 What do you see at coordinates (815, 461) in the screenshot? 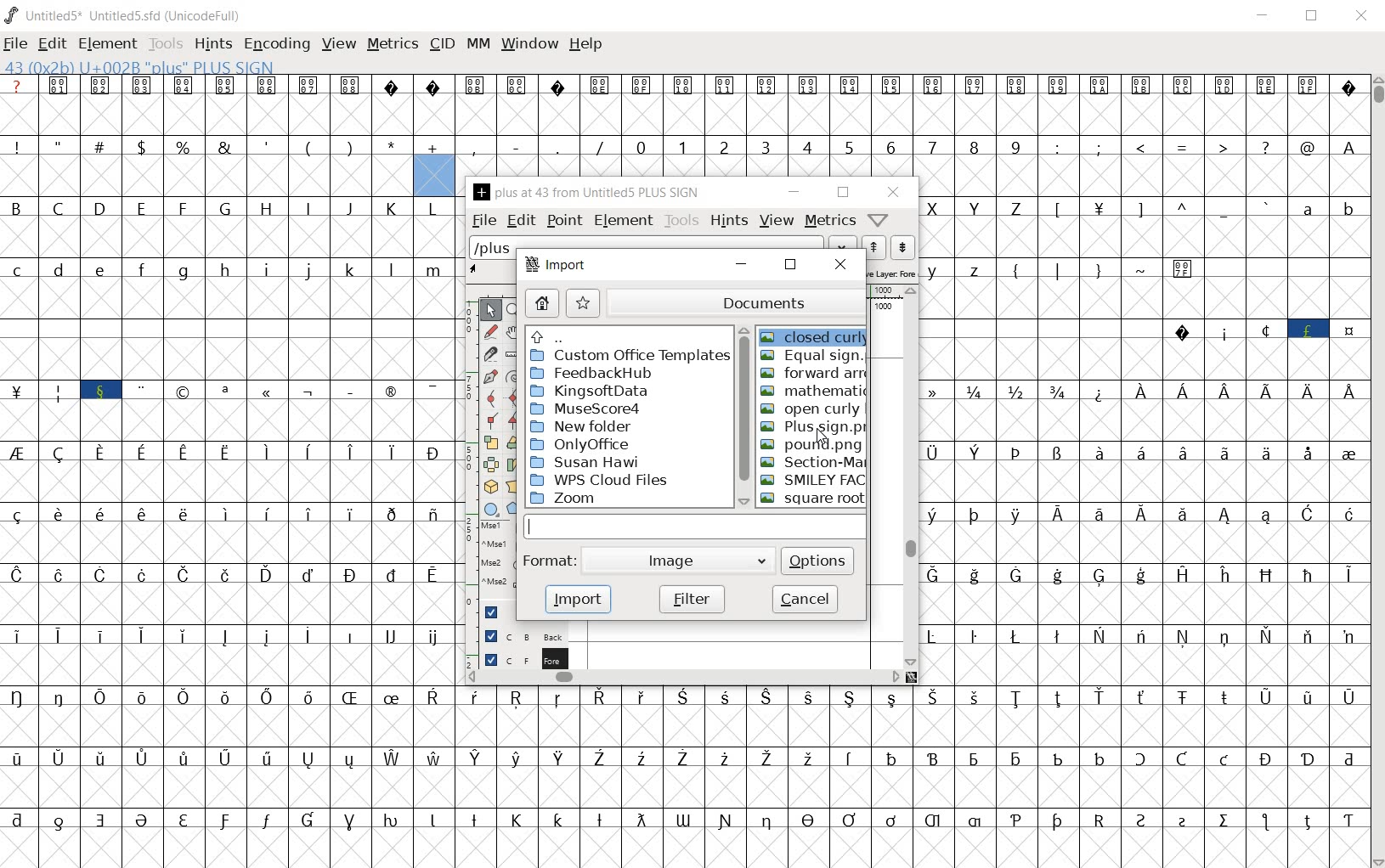
I see `sECTION-MARK` at bounding box center [815, 461].